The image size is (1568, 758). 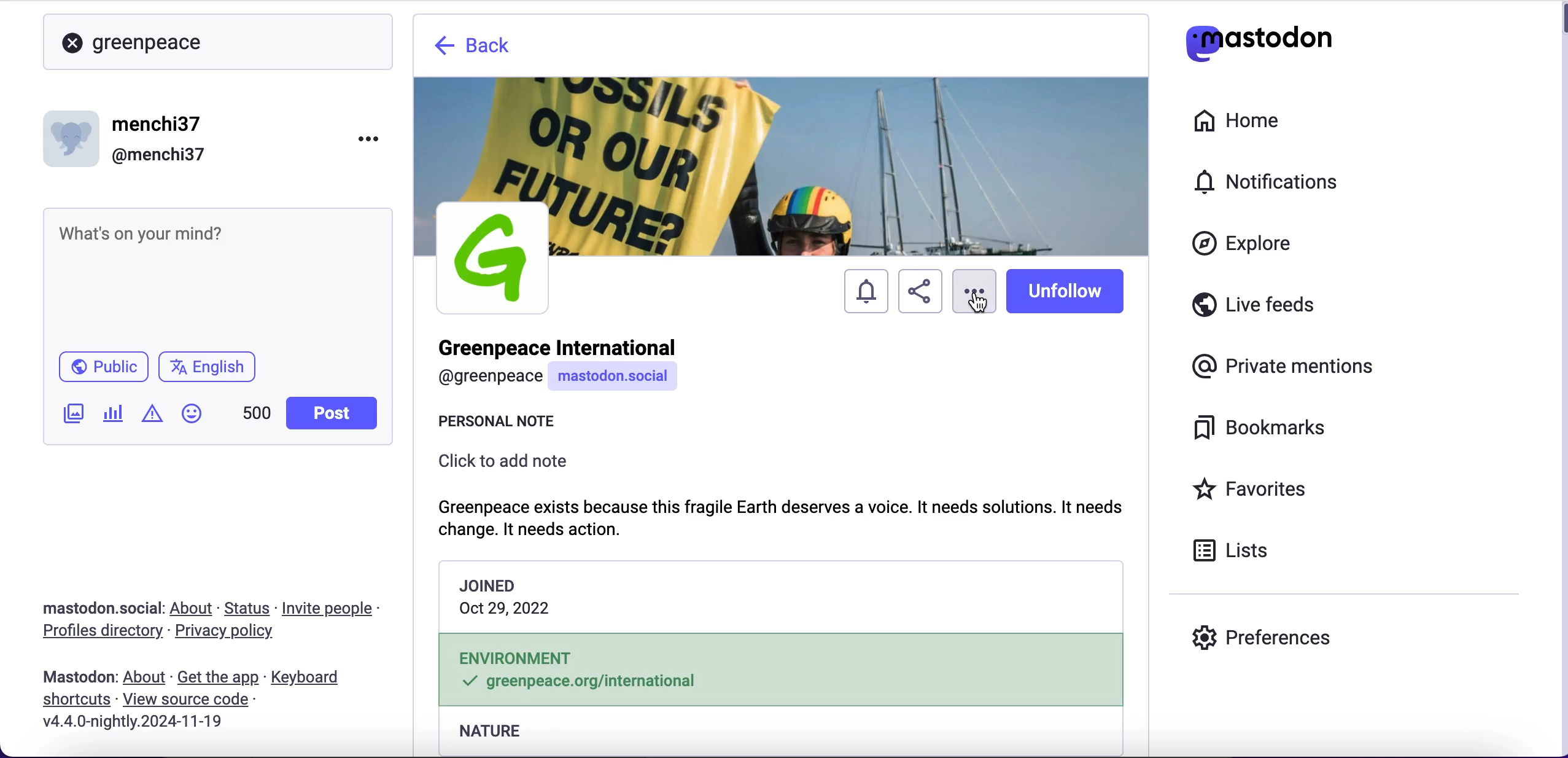 I want to click on mastodon, so click(x=79, y=677).